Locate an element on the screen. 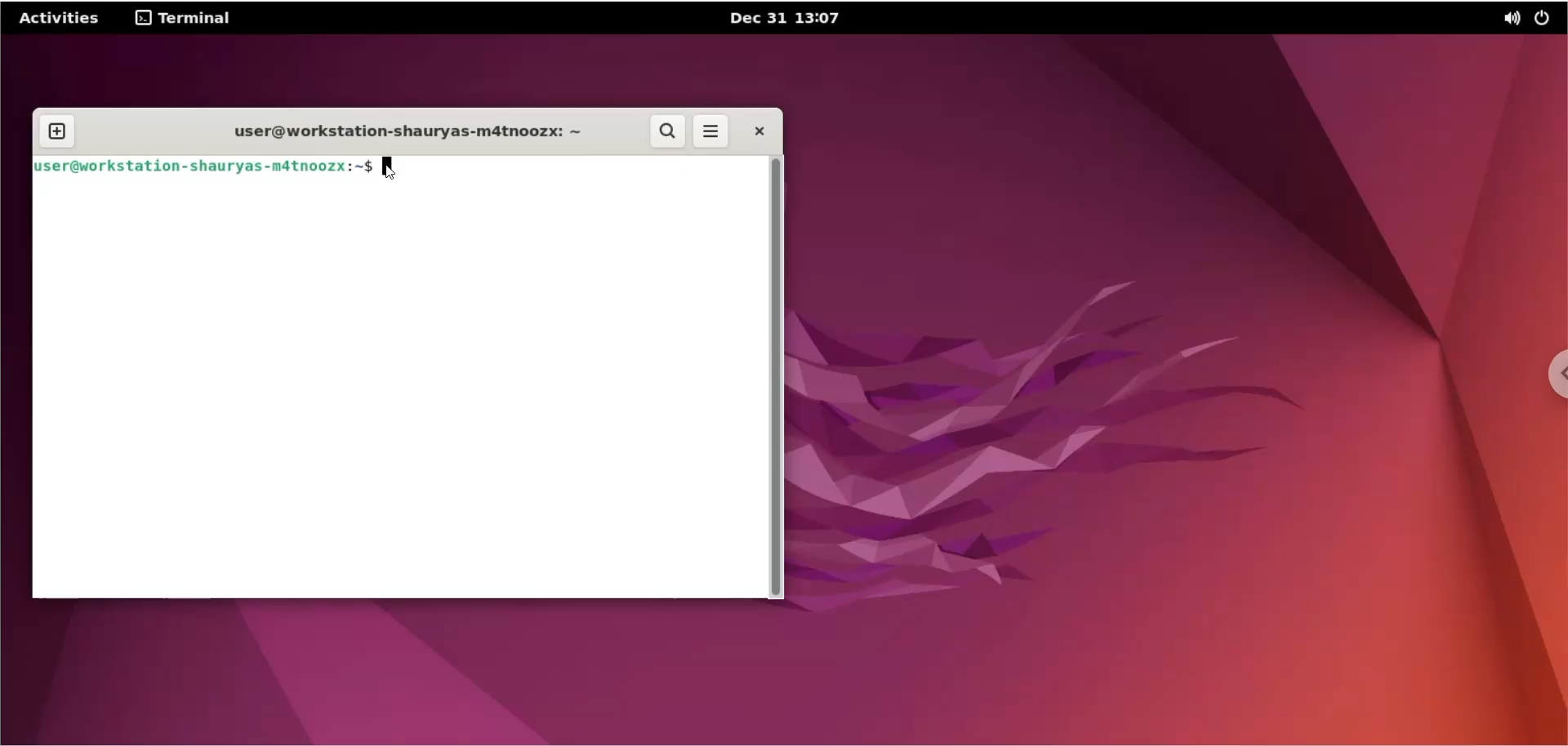  power options is located at coordinates (1546, 18).